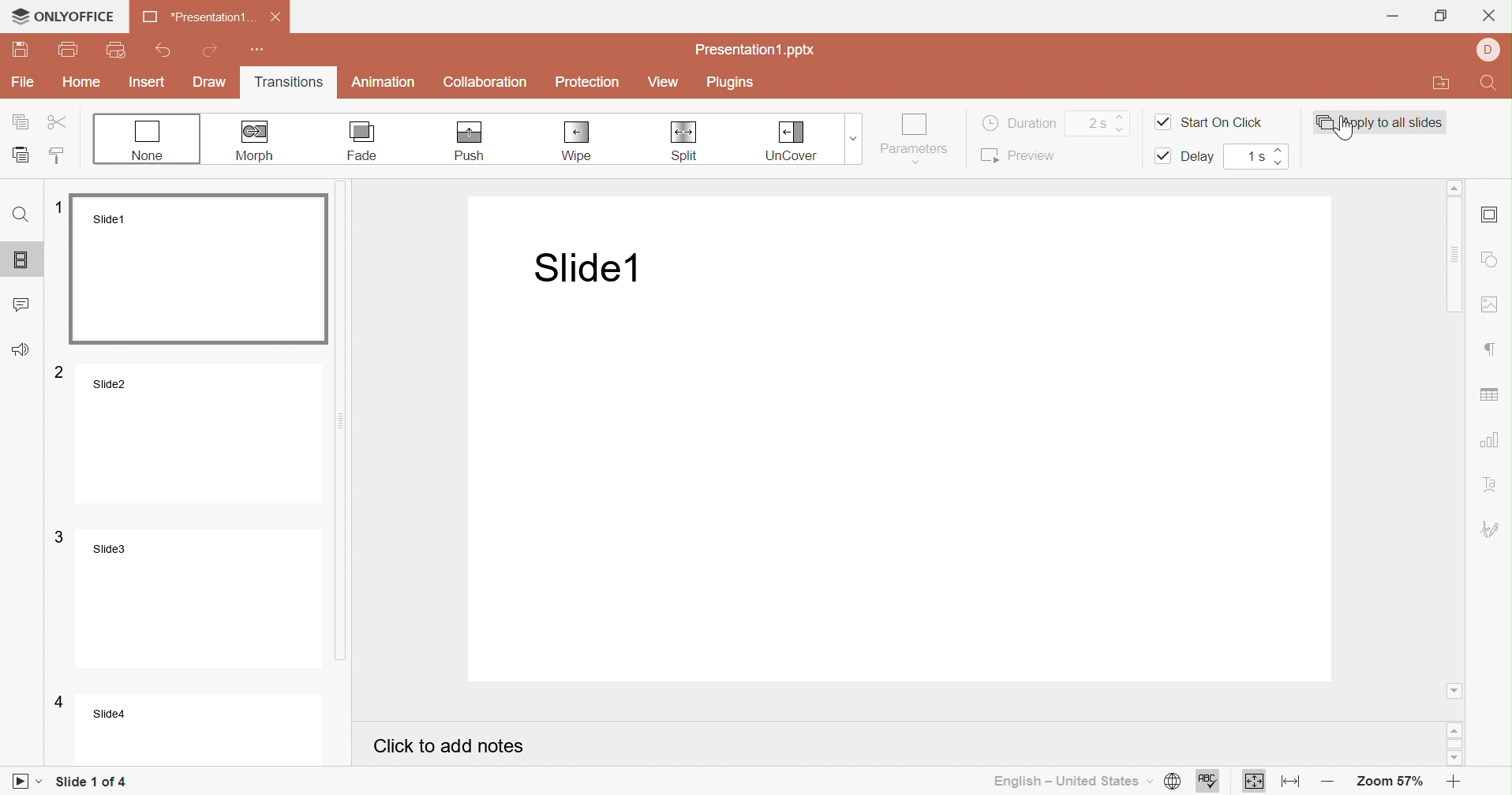  I want to click on Slide1, so click(202, 269).